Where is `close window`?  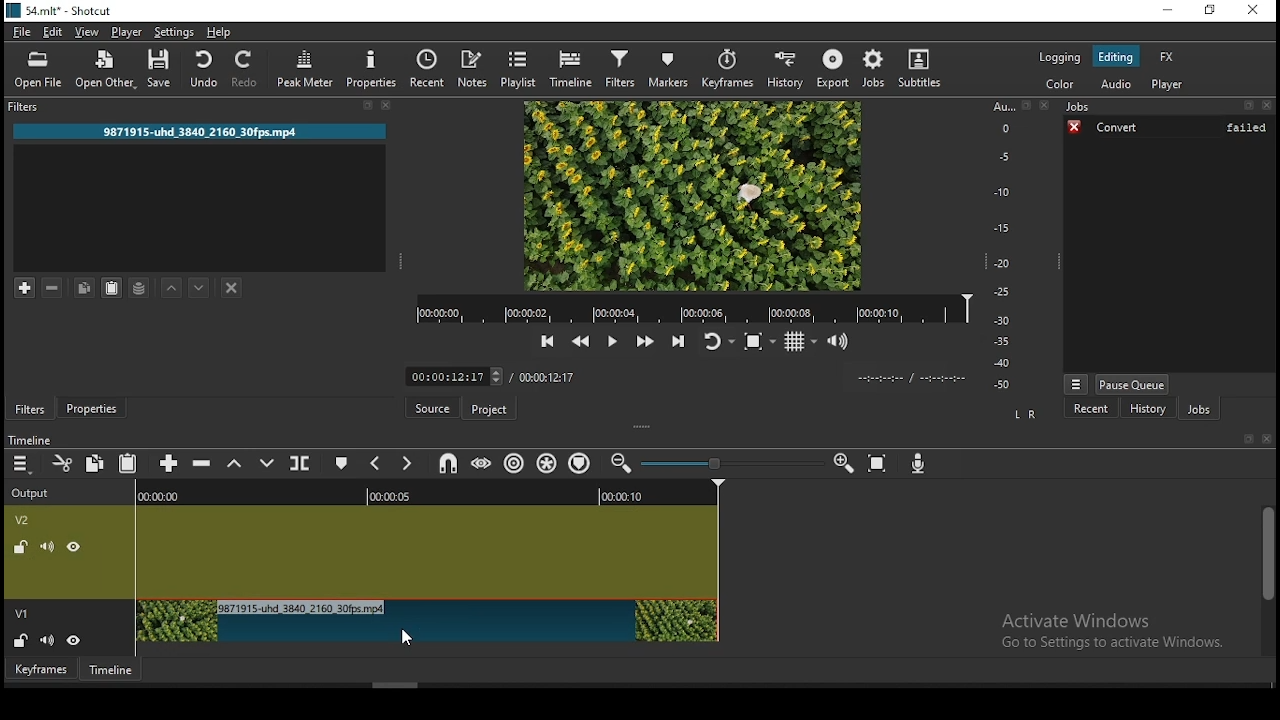
close window is located at coordinates (1251, 11).